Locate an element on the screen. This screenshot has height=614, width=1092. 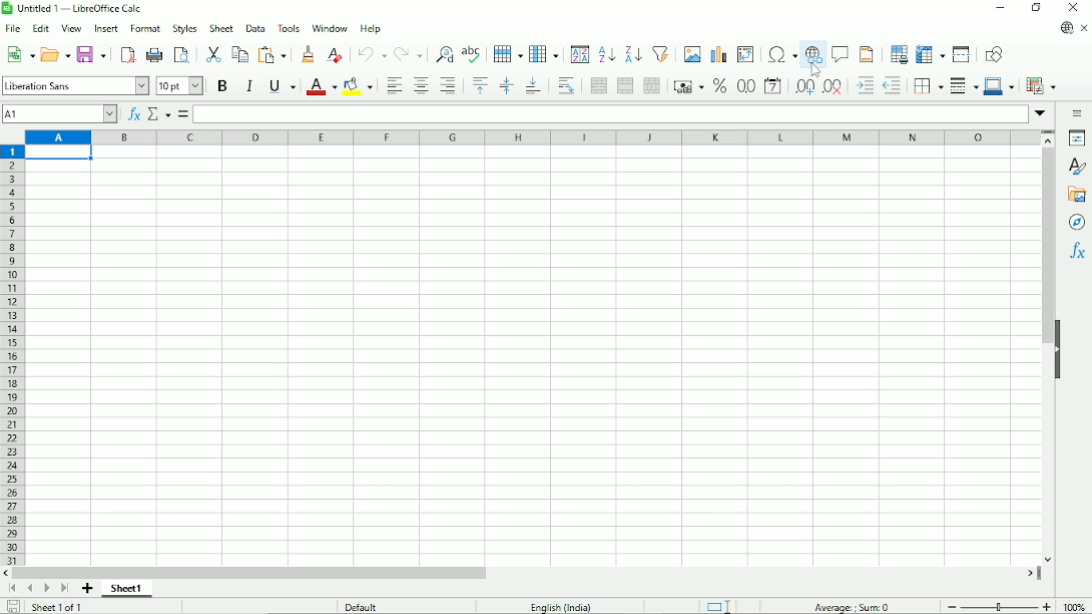
Insert hyperlink is located at coordinates (814, 57).